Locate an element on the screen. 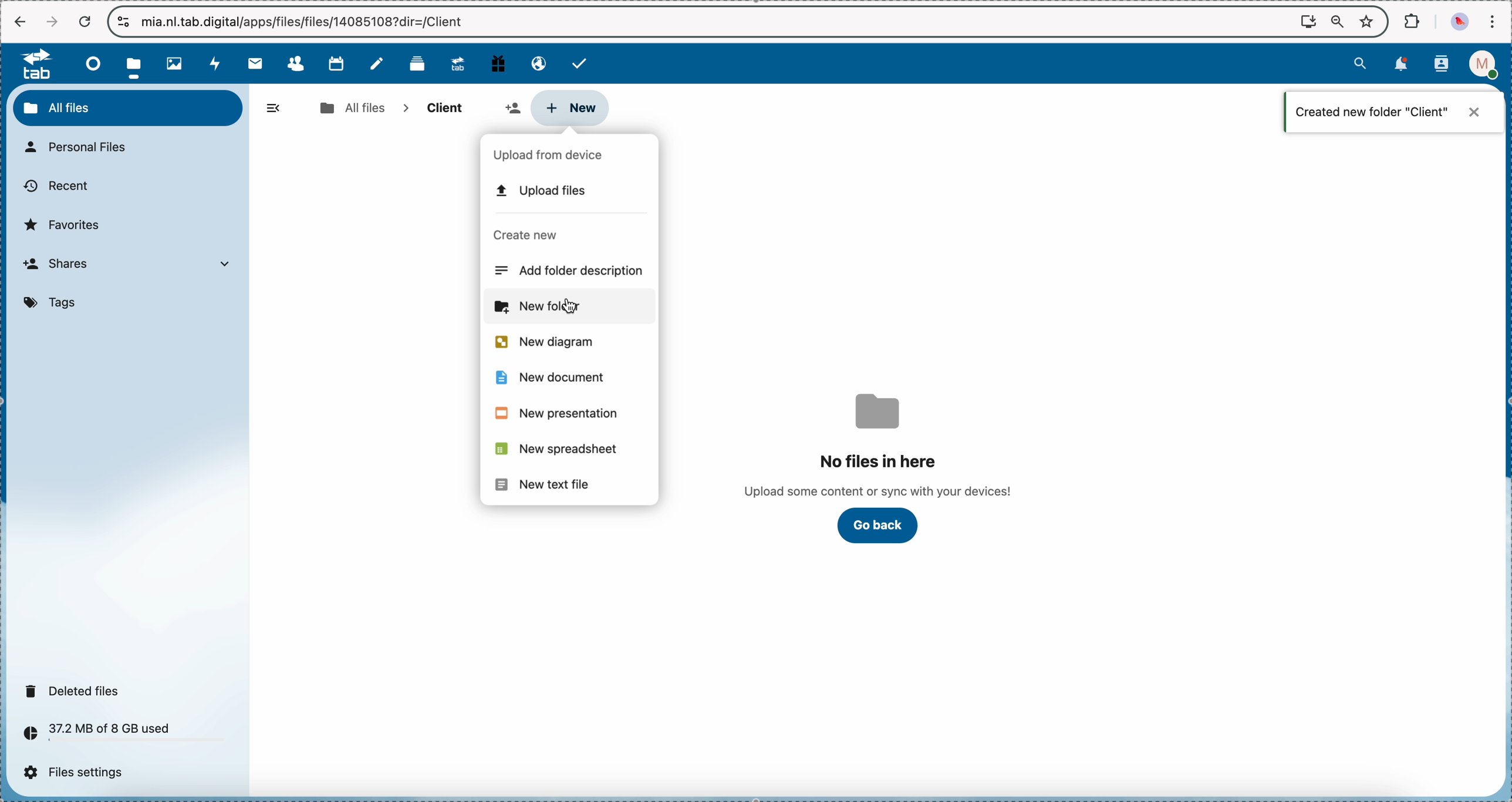  click on new folder is located at coordinates (568, 308).